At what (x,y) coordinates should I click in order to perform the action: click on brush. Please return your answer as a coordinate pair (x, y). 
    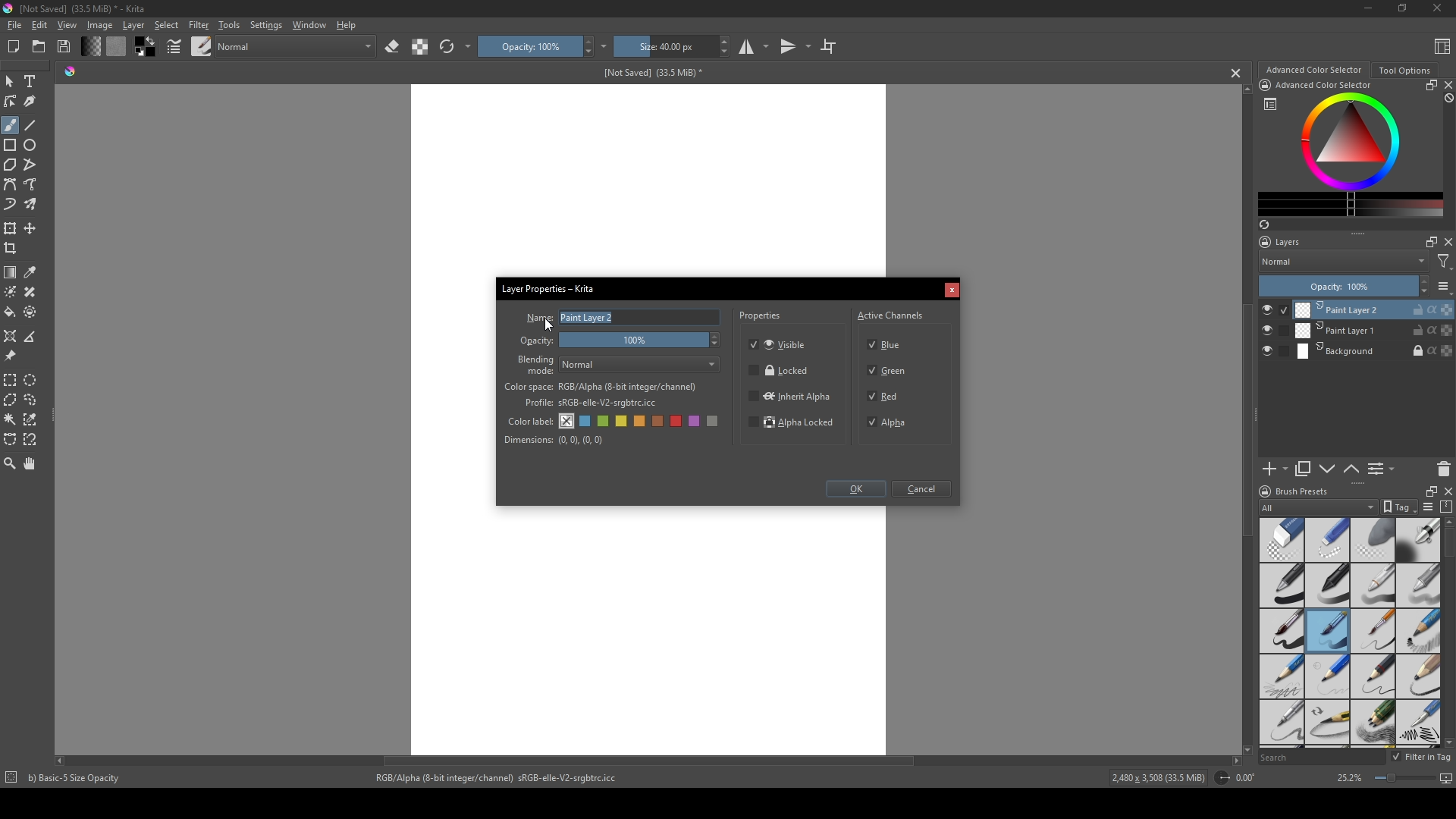
    Looking at the image, I should click on (10, 125).